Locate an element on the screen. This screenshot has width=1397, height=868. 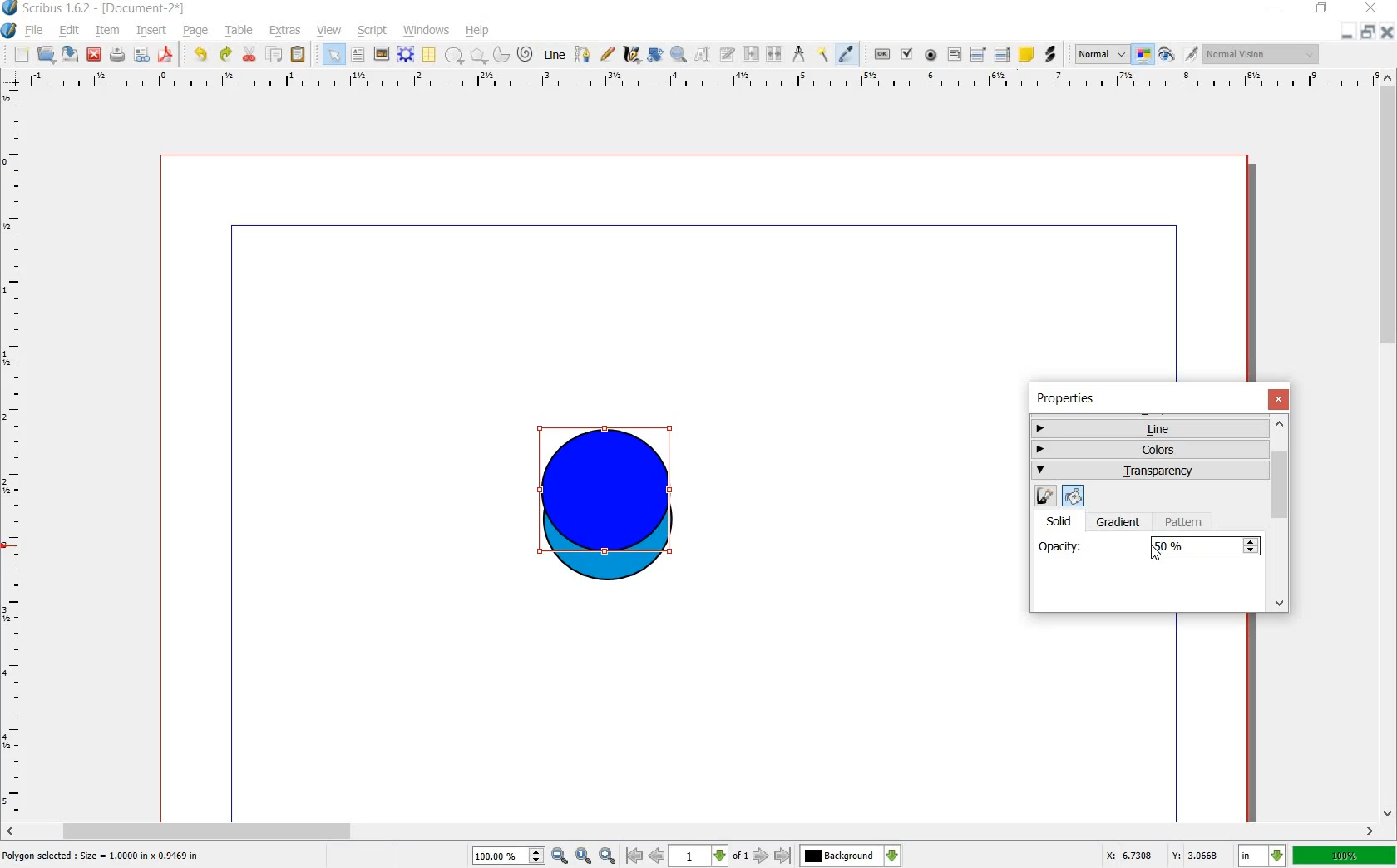
scrollbar is located at coordinates (1281, 515).